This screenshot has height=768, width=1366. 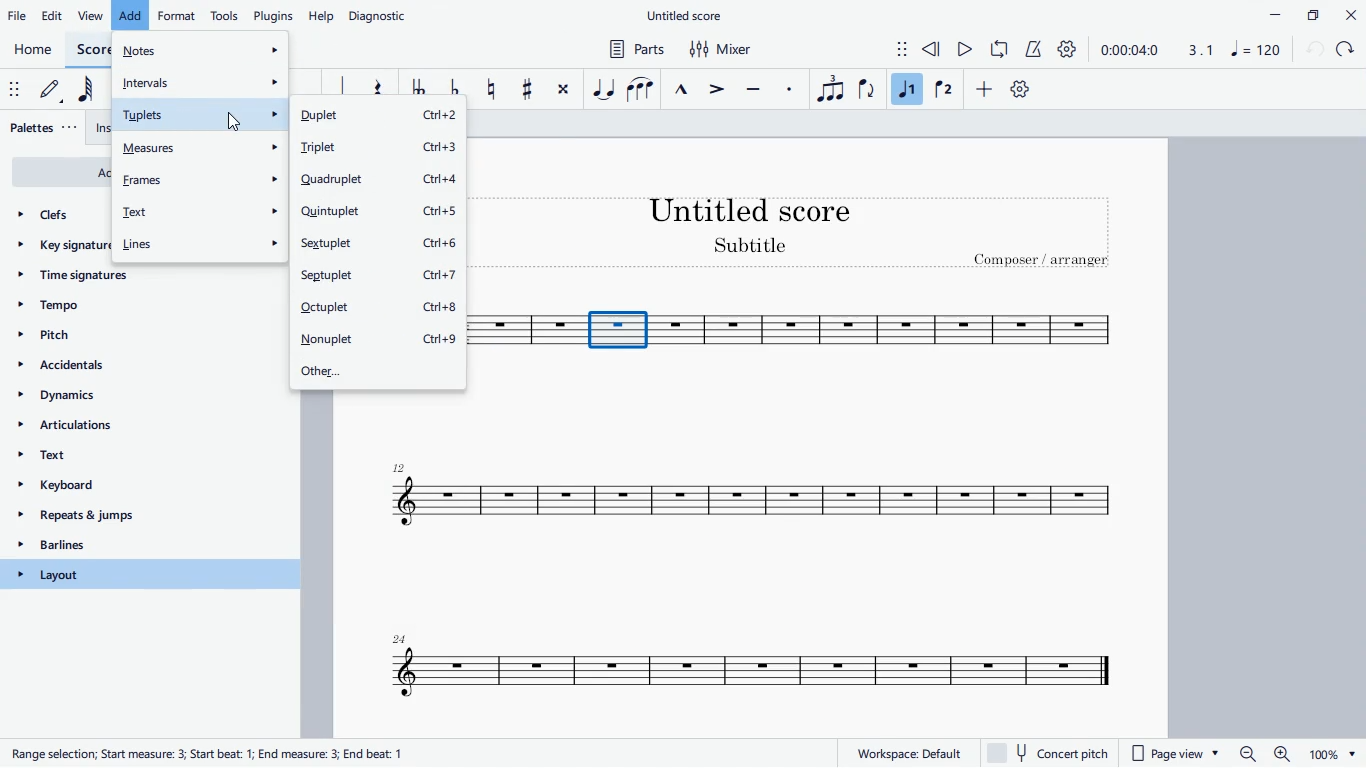 I want to click on edit, so click(x=55, y=15).